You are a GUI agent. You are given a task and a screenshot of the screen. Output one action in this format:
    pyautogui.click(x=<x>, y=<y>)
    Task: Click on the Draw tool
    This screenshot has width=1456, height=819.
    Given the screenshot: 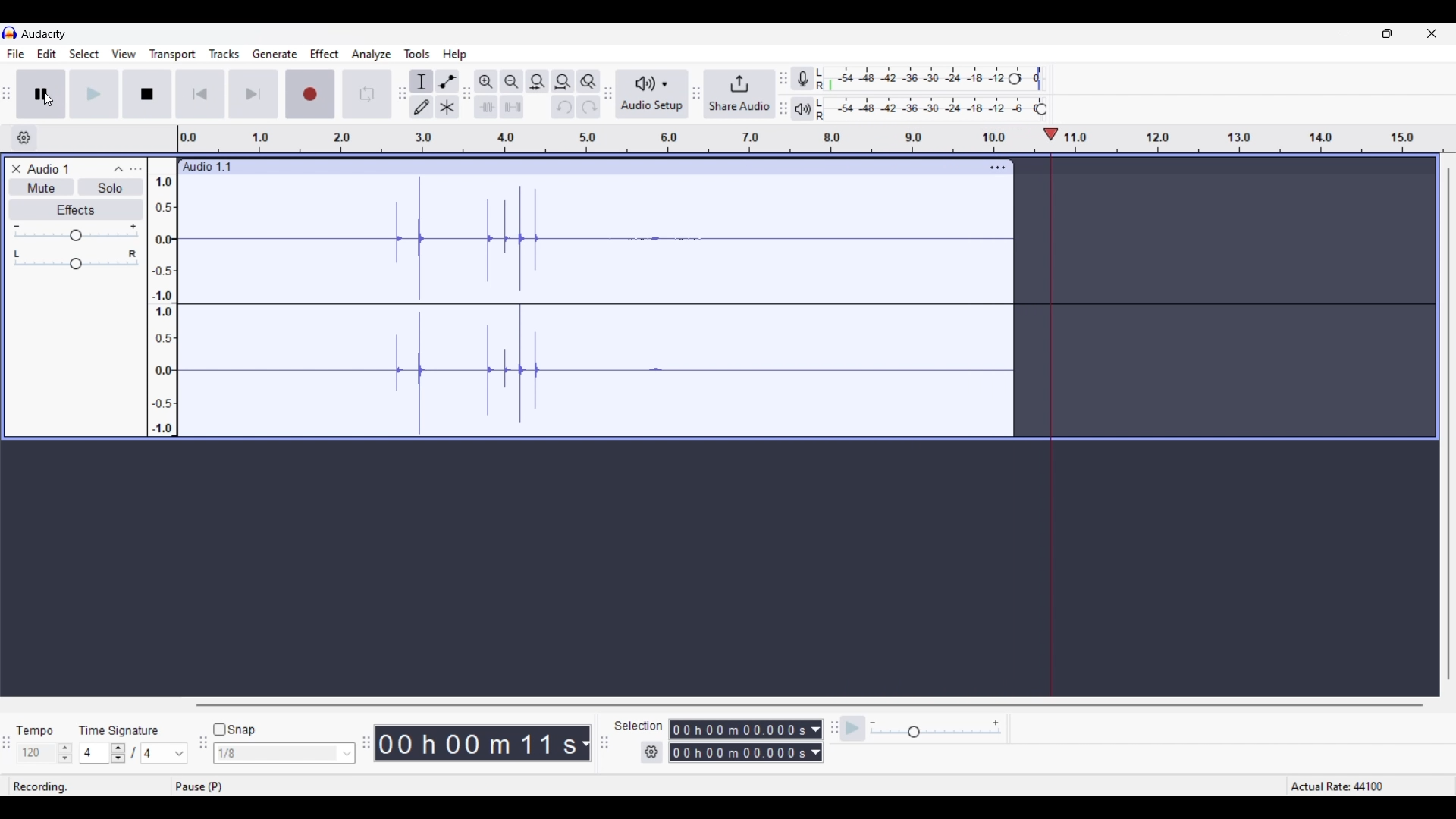 What is the action you would take?
    pyautogui.click(x=421, y=107)
    